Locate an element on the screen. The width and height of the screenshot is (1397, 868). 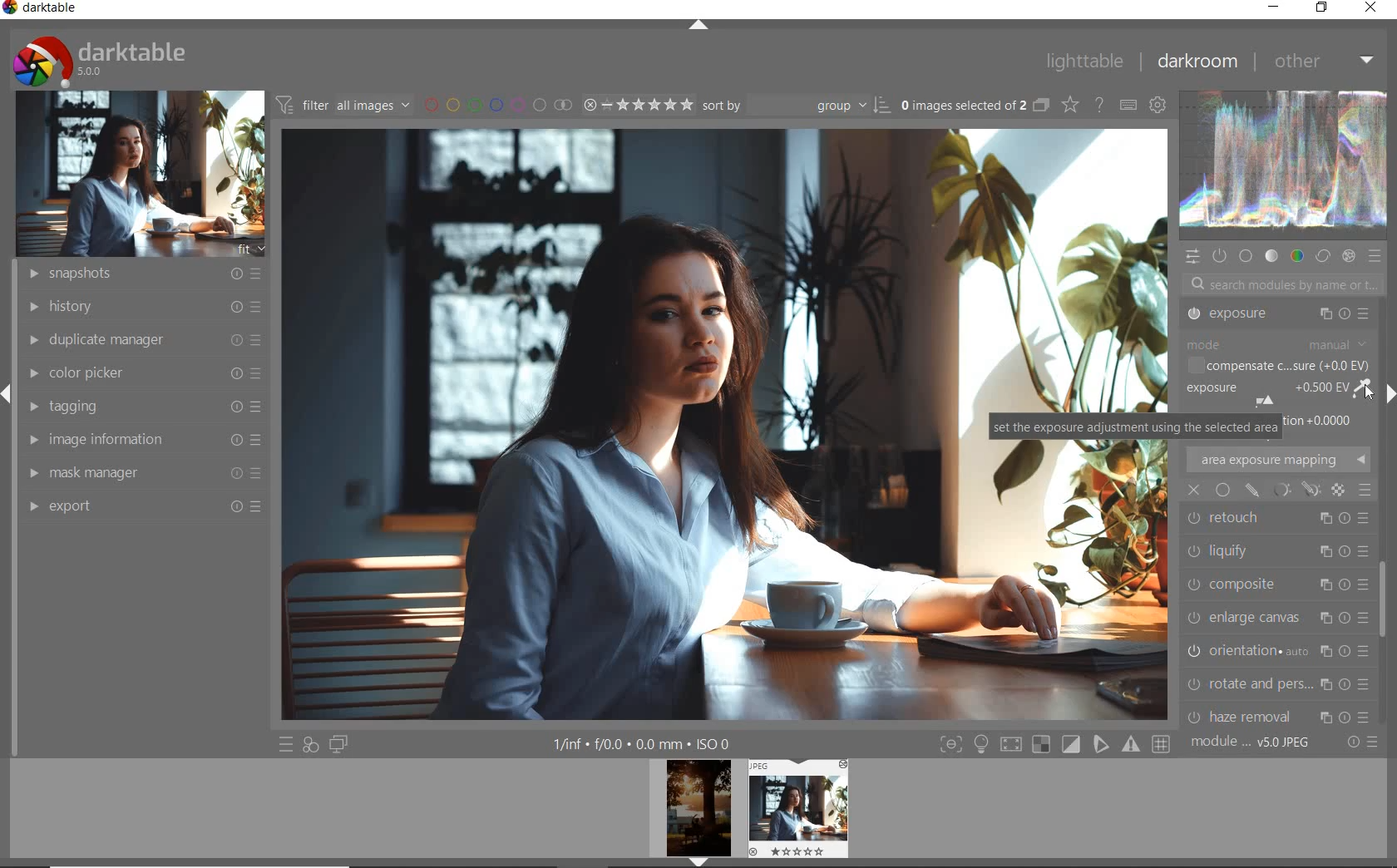
SELECTED IMAGES is located at coordinates (960, 106).